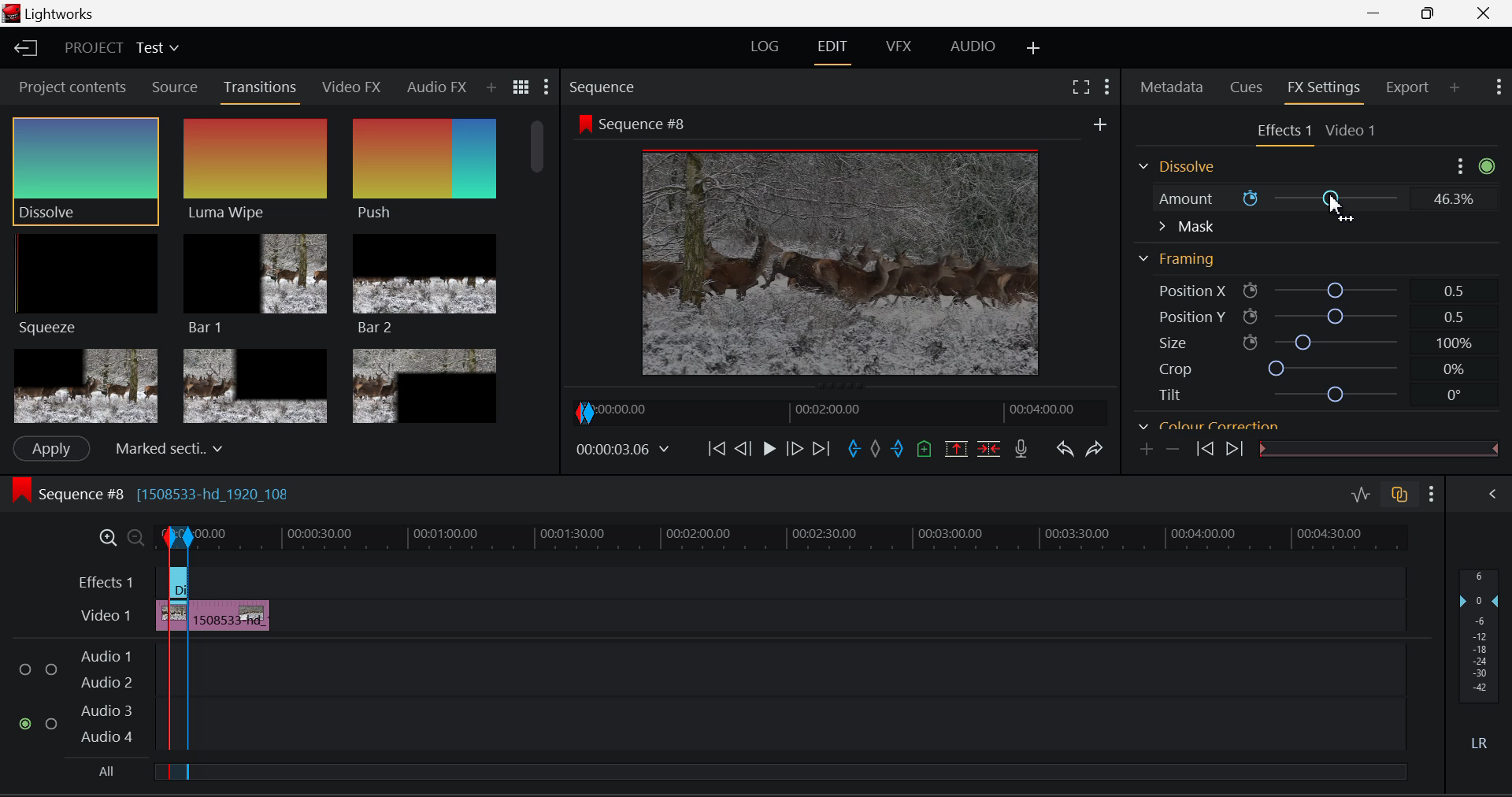 Image resolution: width=1512 pixels, height=797 pixels. What do you see at coordinates (837, 247) in the screenshot?
I see `Sequence #8 Preview Screen` at bounding box center [837, 247].